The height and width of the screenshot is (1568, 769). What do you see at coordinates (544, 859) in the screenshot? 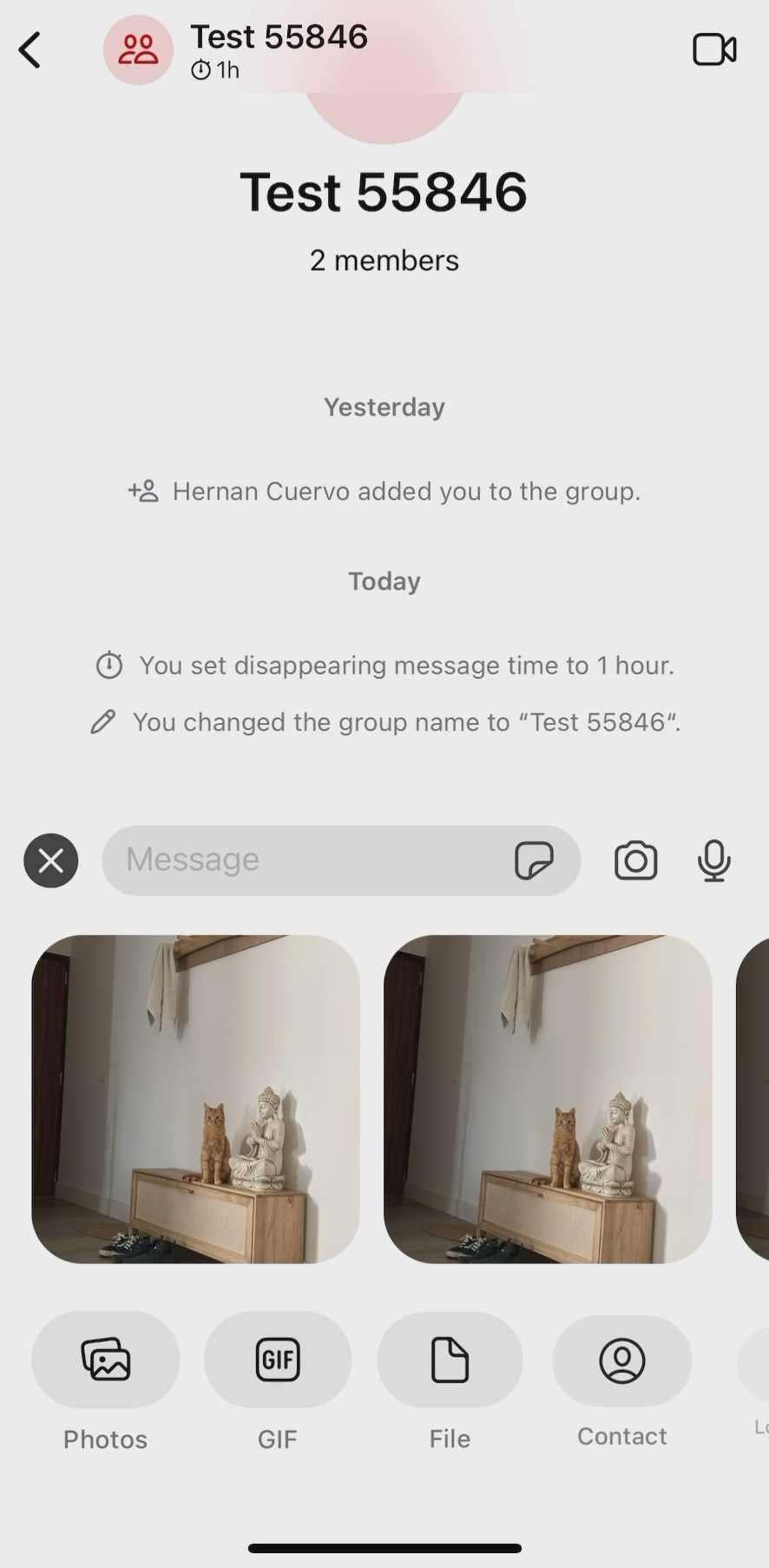
I see `gif` at bounding box center [544, 859].